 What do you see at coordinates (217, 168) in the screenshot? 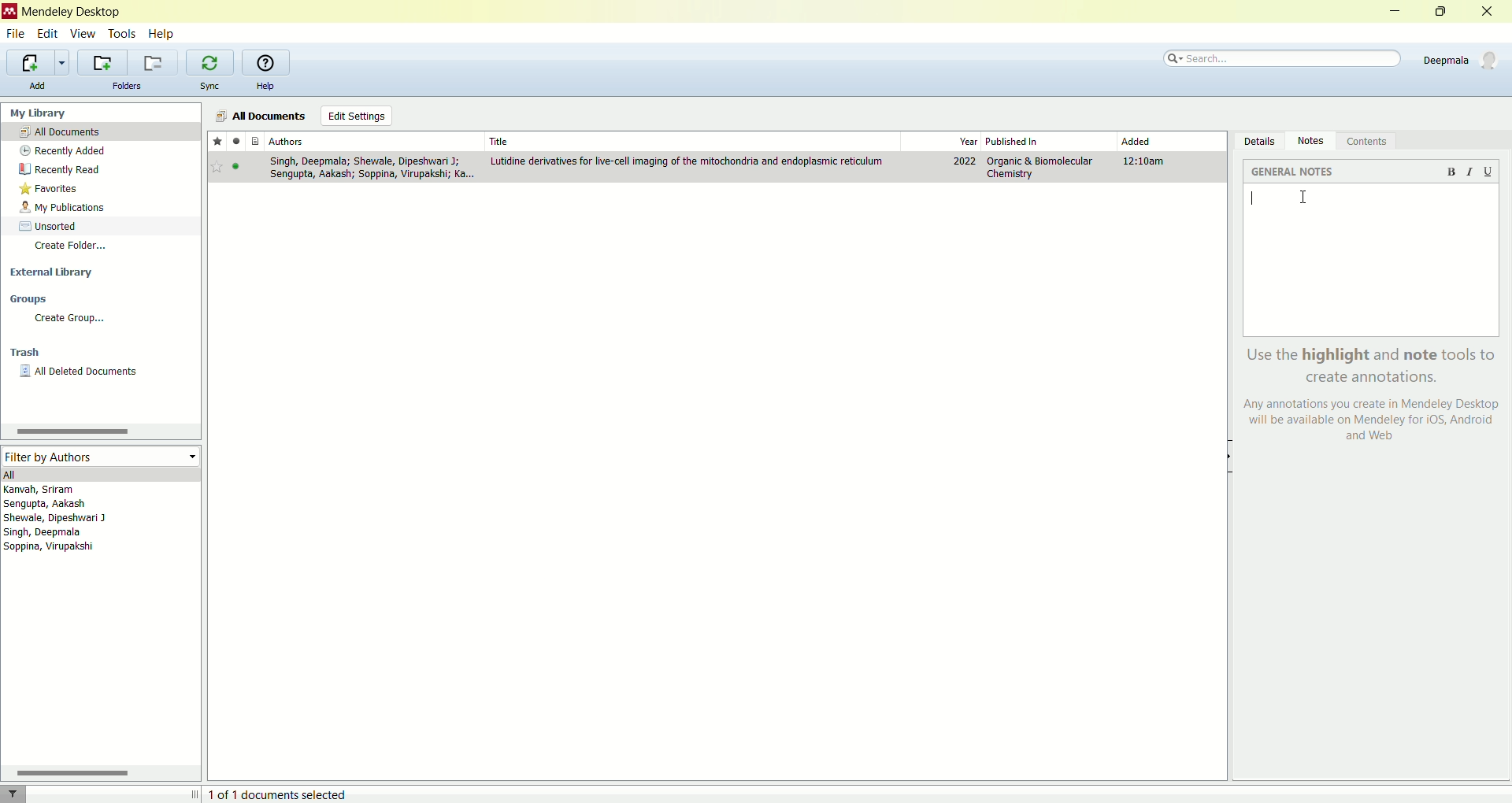
I see `Bookmark` at bounding box center [217, 168].